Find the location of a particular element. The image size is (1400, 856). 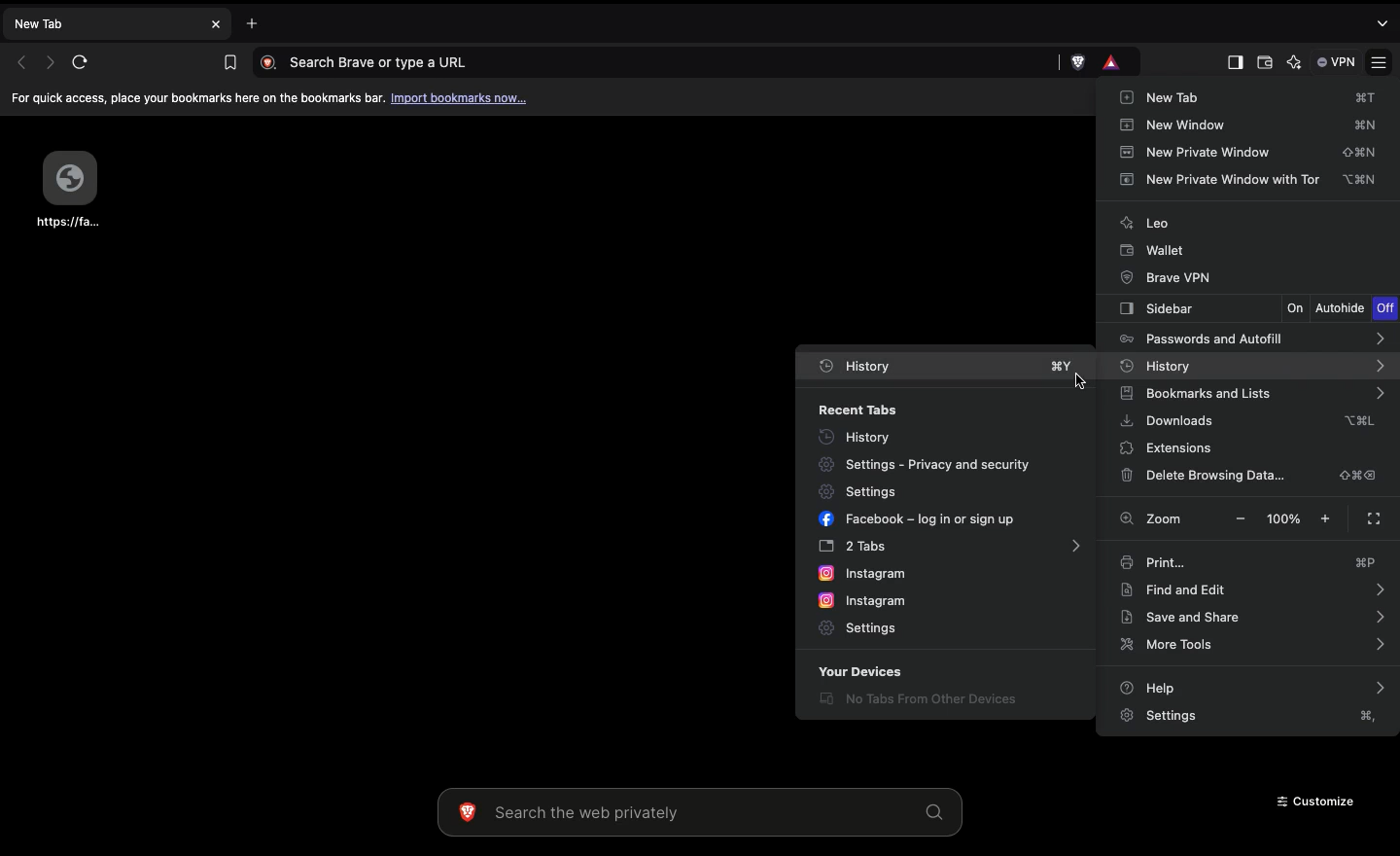

On is located at coordinates (1296, 307).